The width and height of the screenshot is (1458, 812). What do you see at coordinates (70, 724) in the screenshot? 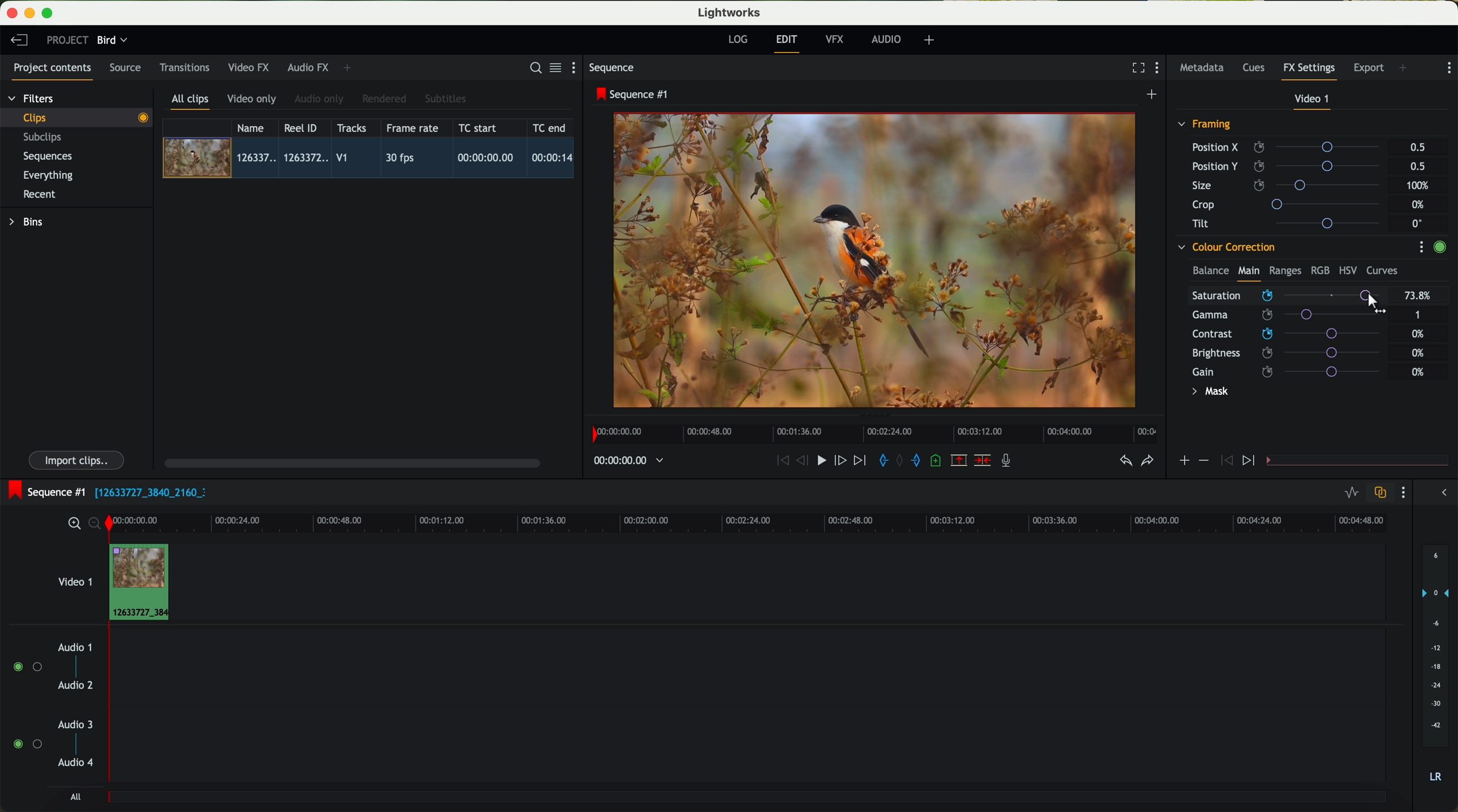
I see `audio 3` at bounding box center [70, 724].